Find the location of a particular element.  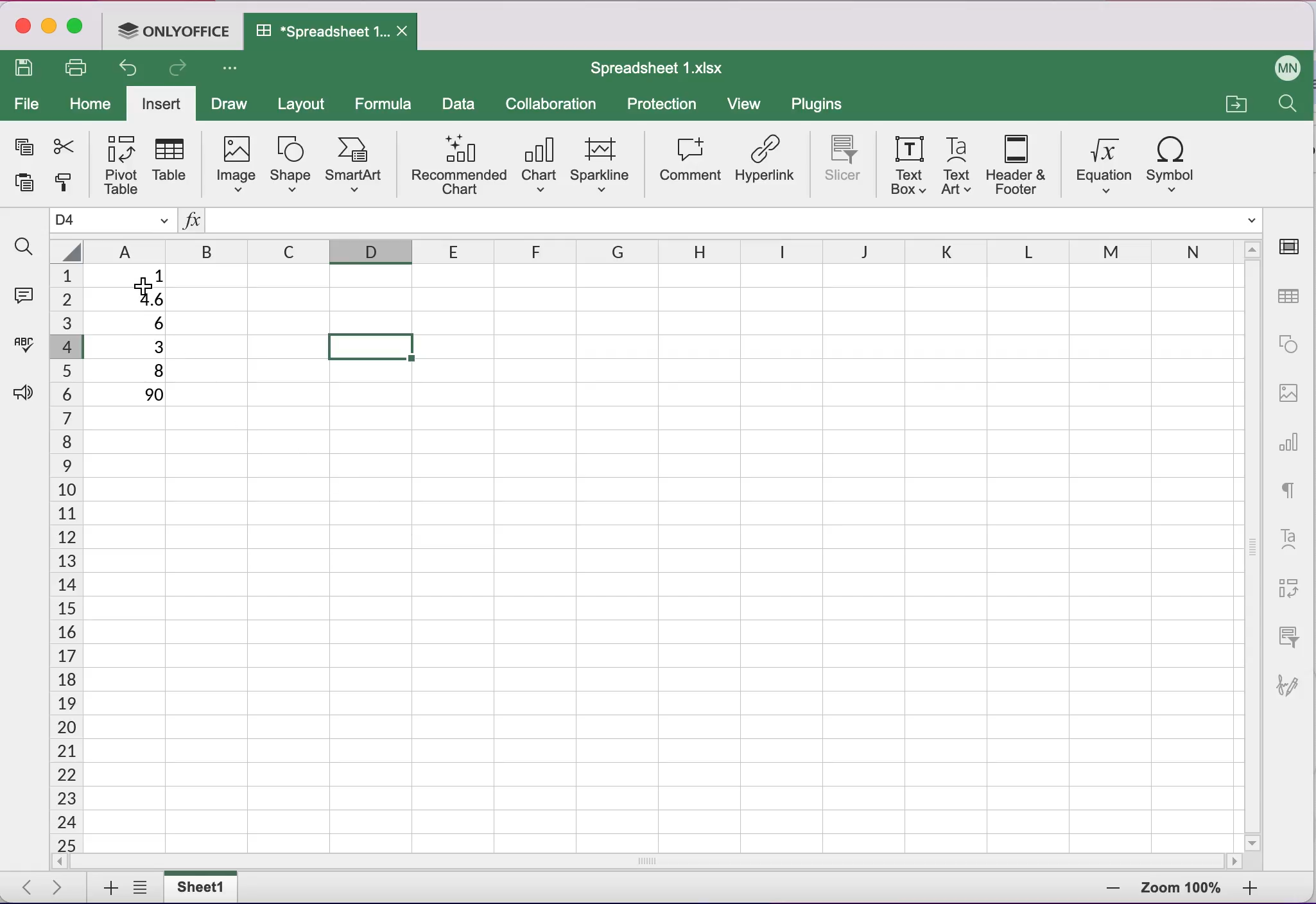

shape is located at coordinates (289, 168).